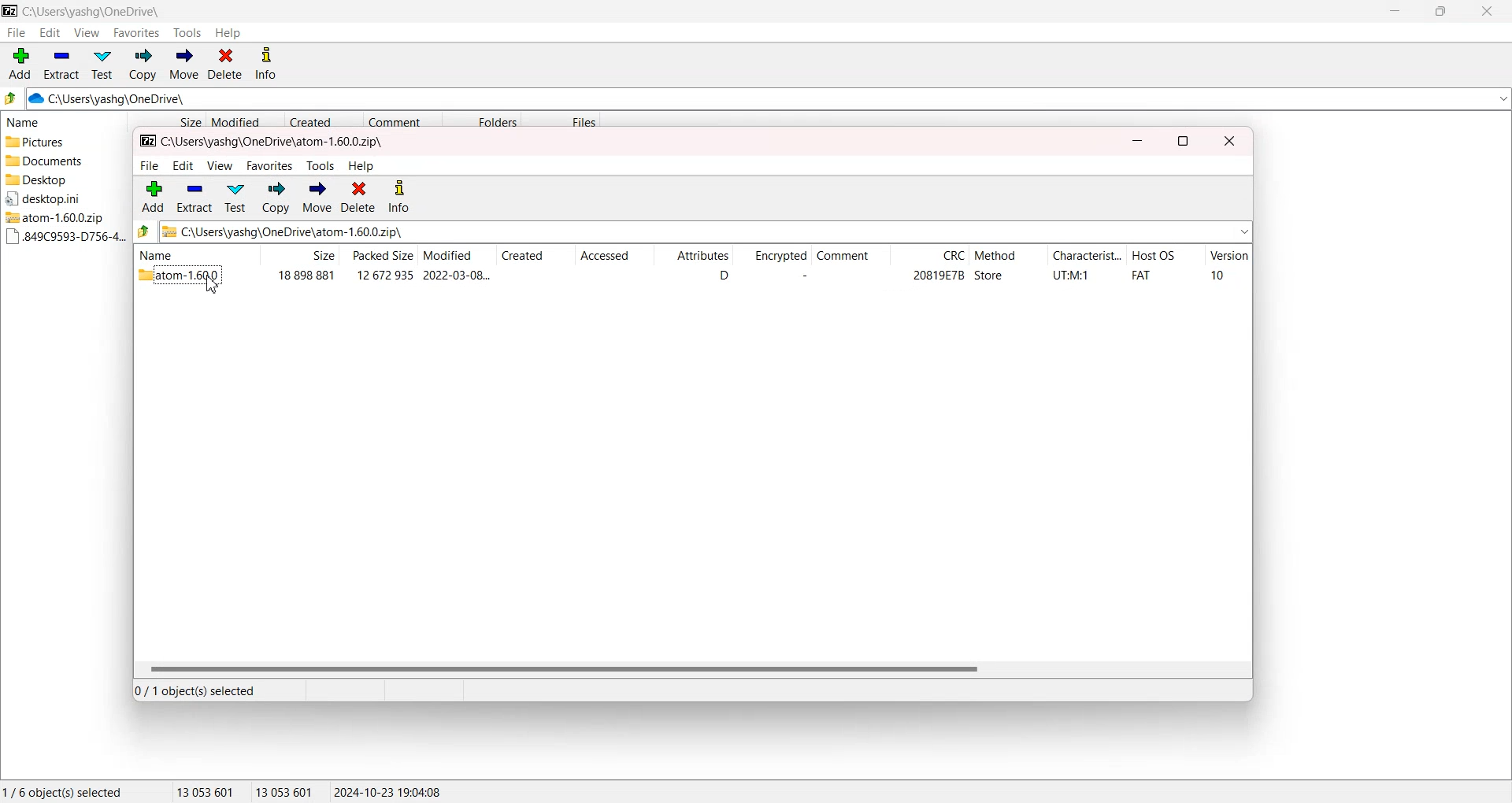 This screenshot has height=803, width=1512. What do you see at coordinates (86, 32) in the screenshot?
I see `View` at bounding box center [86, 32].